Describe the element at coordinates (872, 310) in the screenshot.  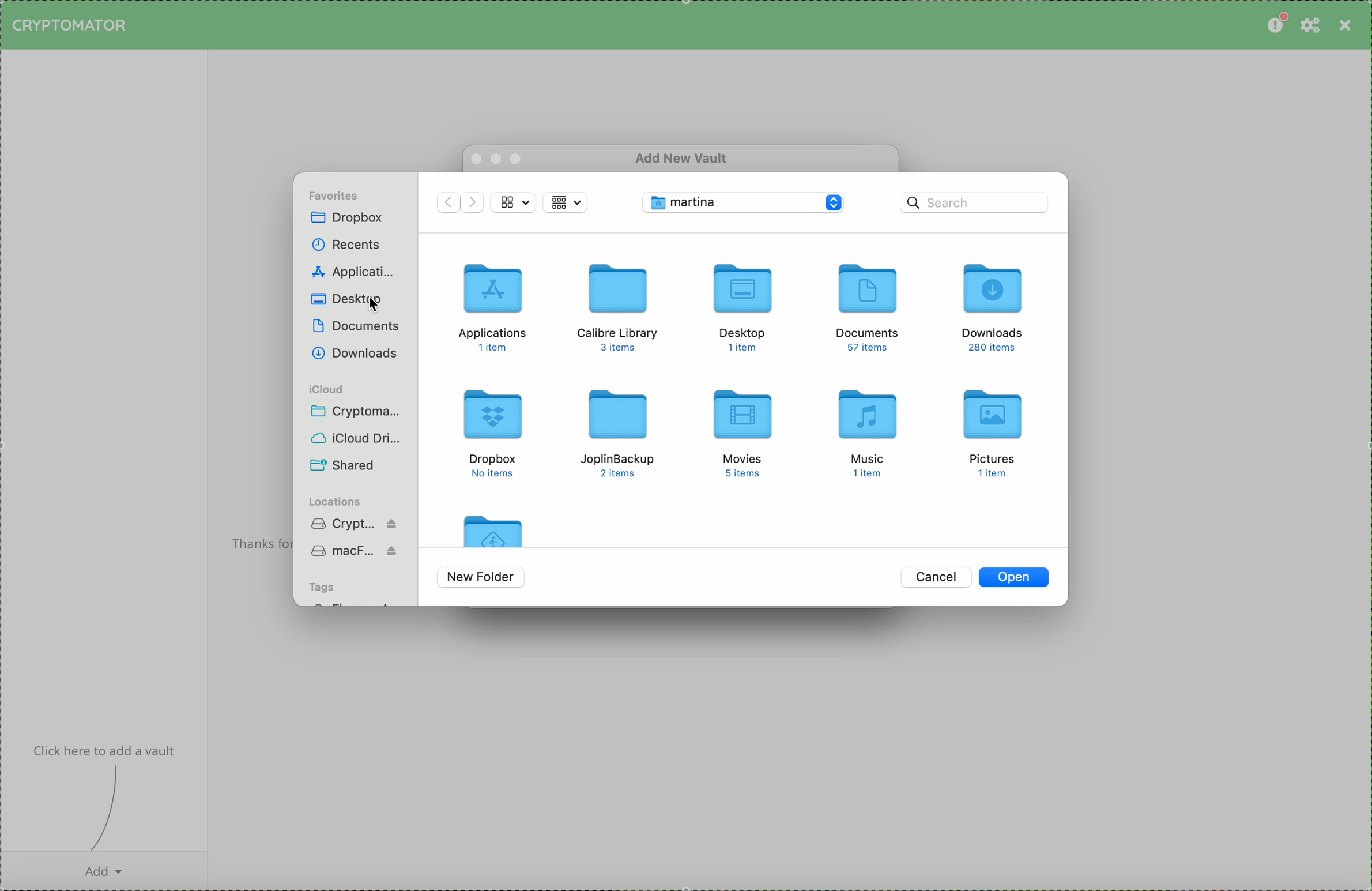
I see `documents` at that location.